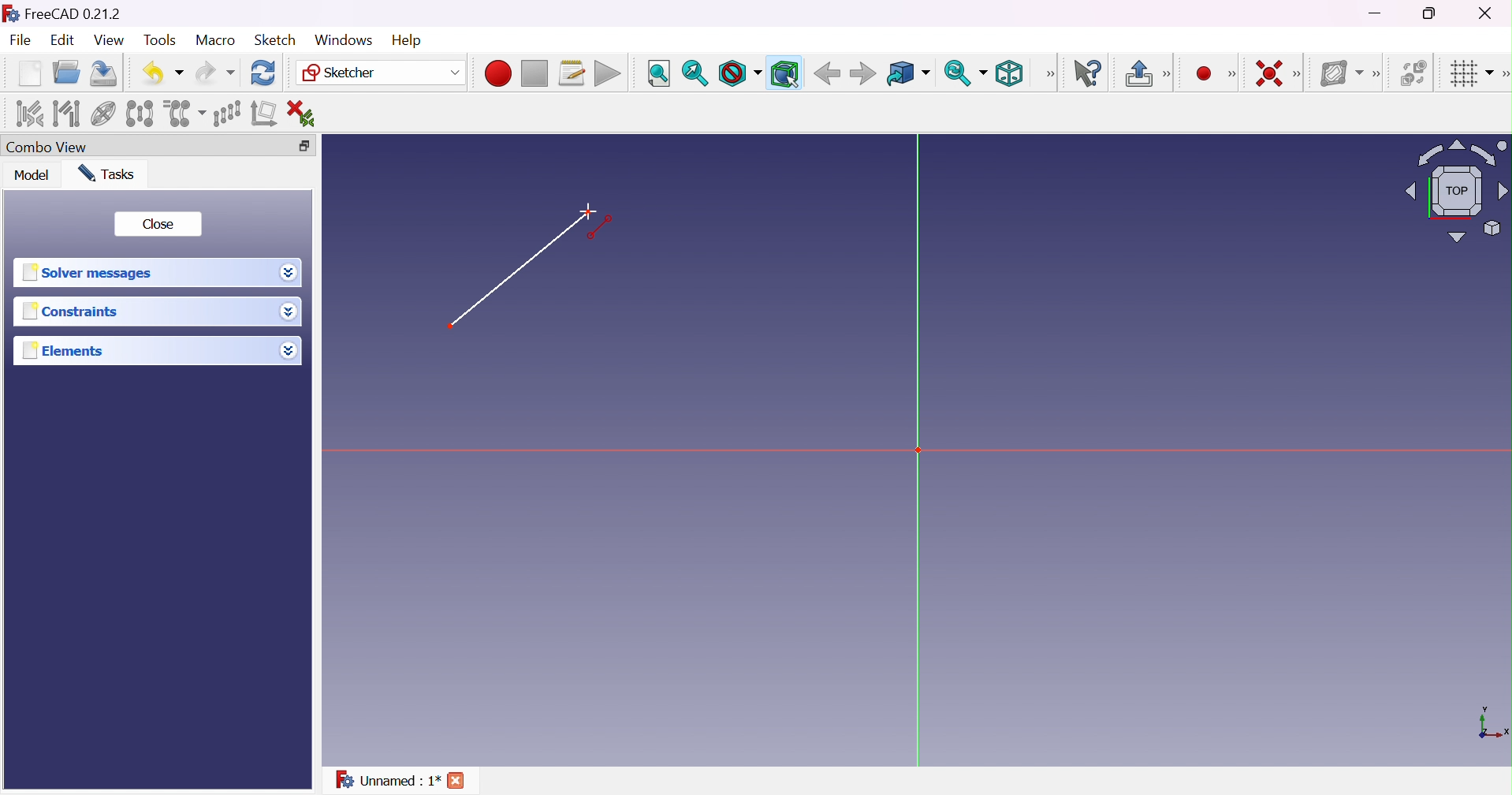  What do you see at coordinates (1469, 75) in the screenshot?
I see `Toggle grid` at bounding box center [1469, 75].